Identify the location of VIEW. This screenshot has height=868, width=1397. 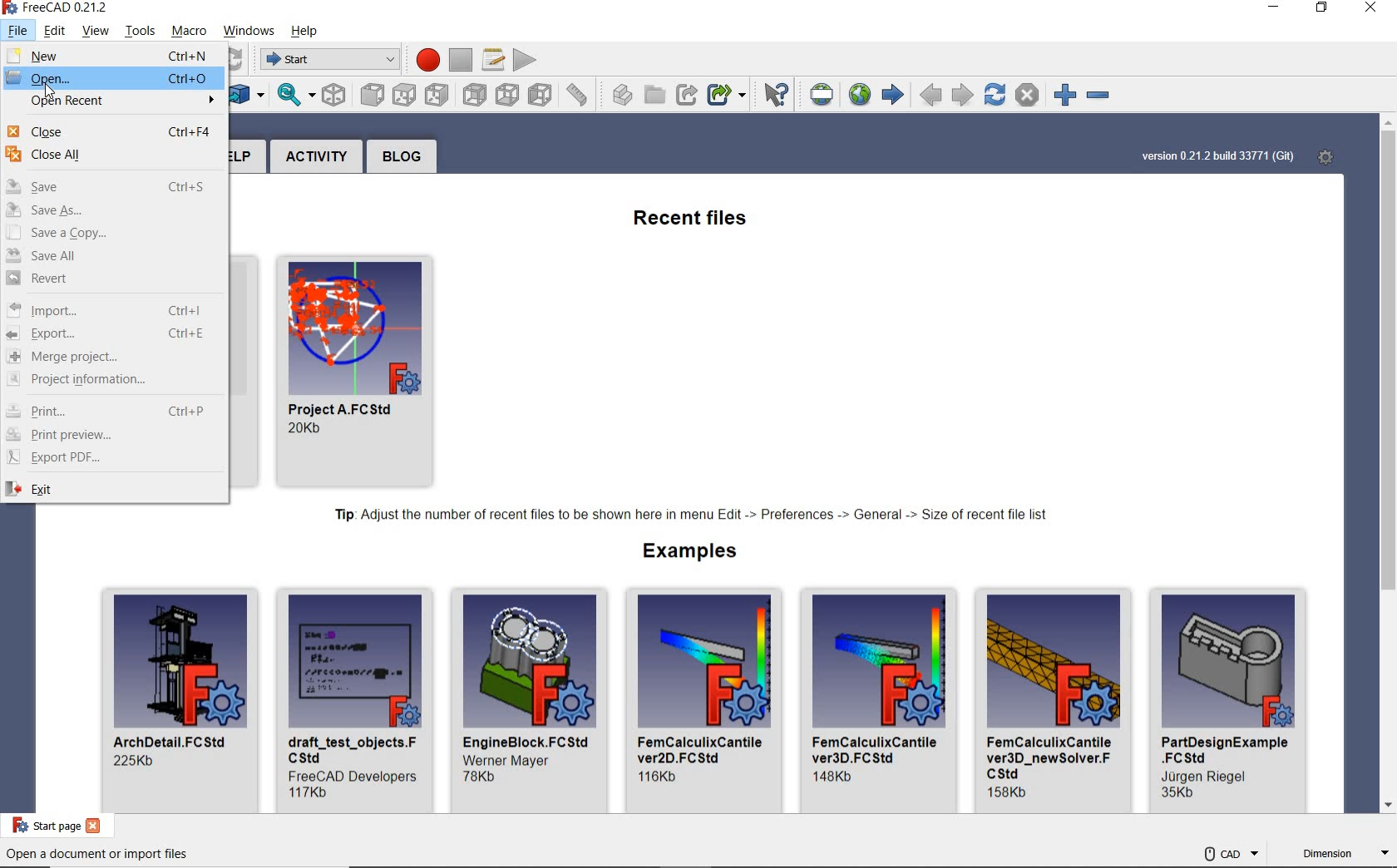
(93, 31).